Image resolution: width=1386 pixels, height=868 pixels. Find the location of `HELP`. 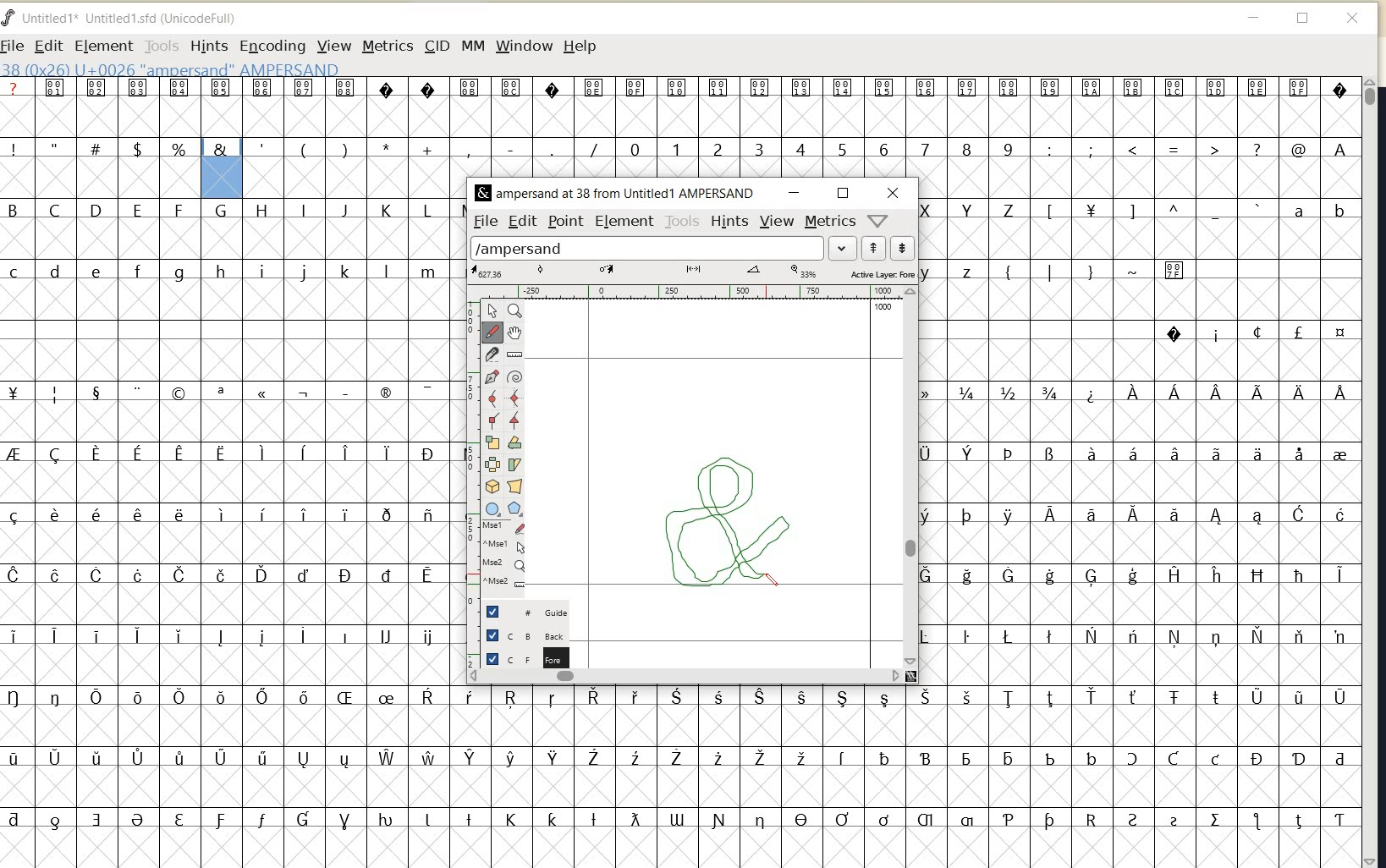

HELP is located at coordinates (580, 47).